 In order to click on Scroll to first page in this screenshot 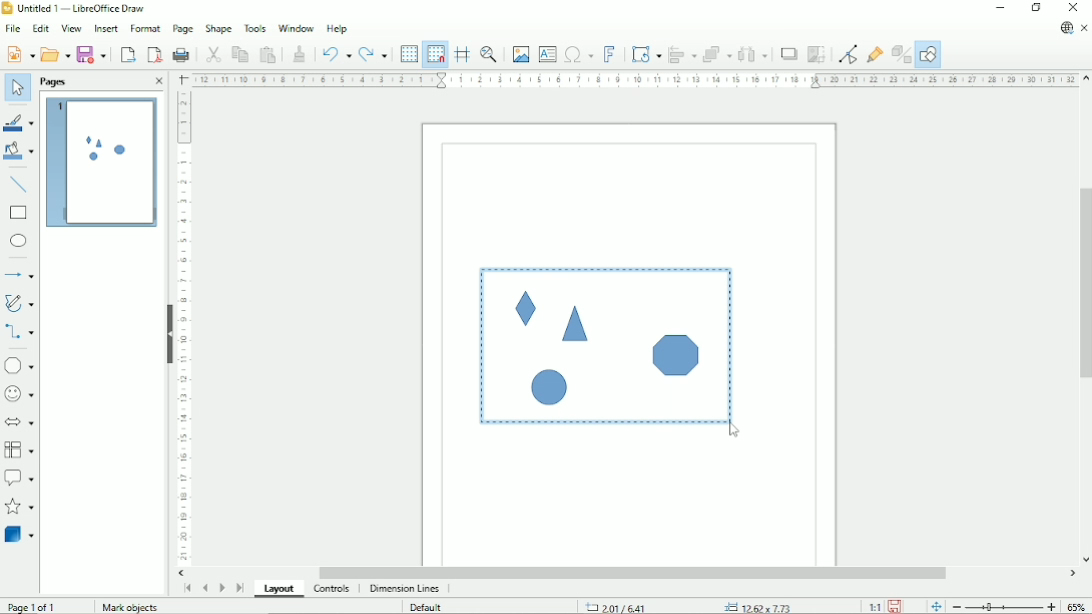, I will do `click(187, 588)`.